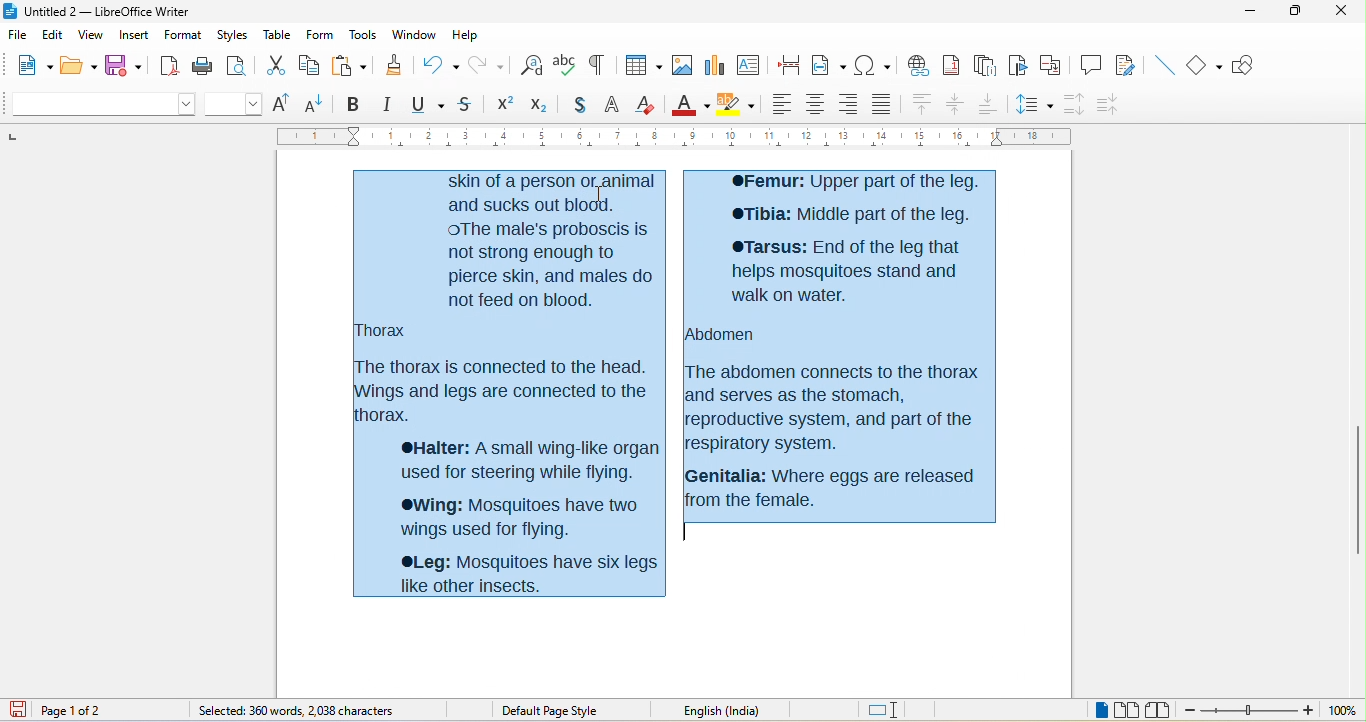 The width and height of the screenshot is (1366, 722). I want to click on insert, so click(134, 34).